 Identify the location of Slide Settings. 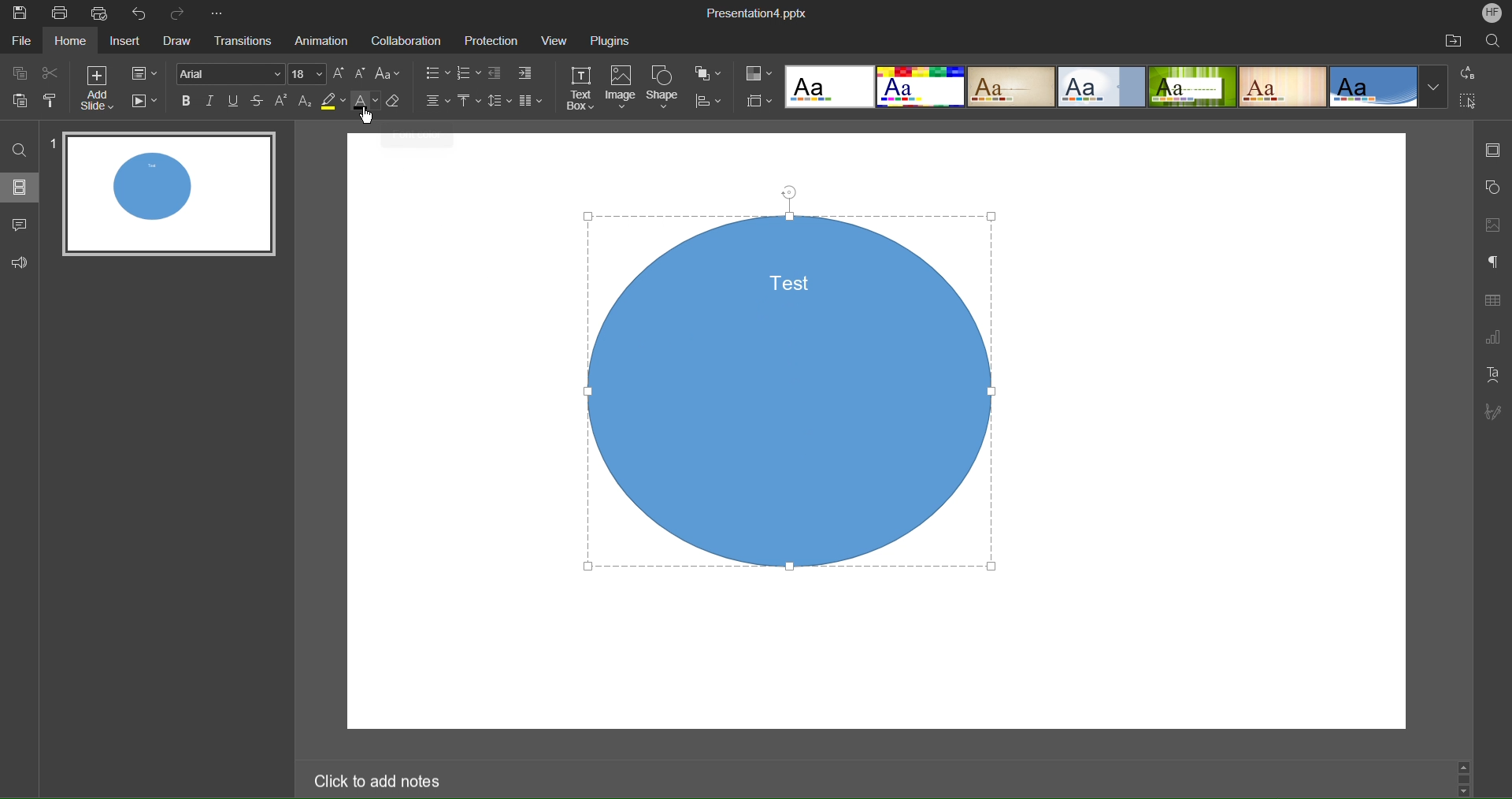
(141, 71).